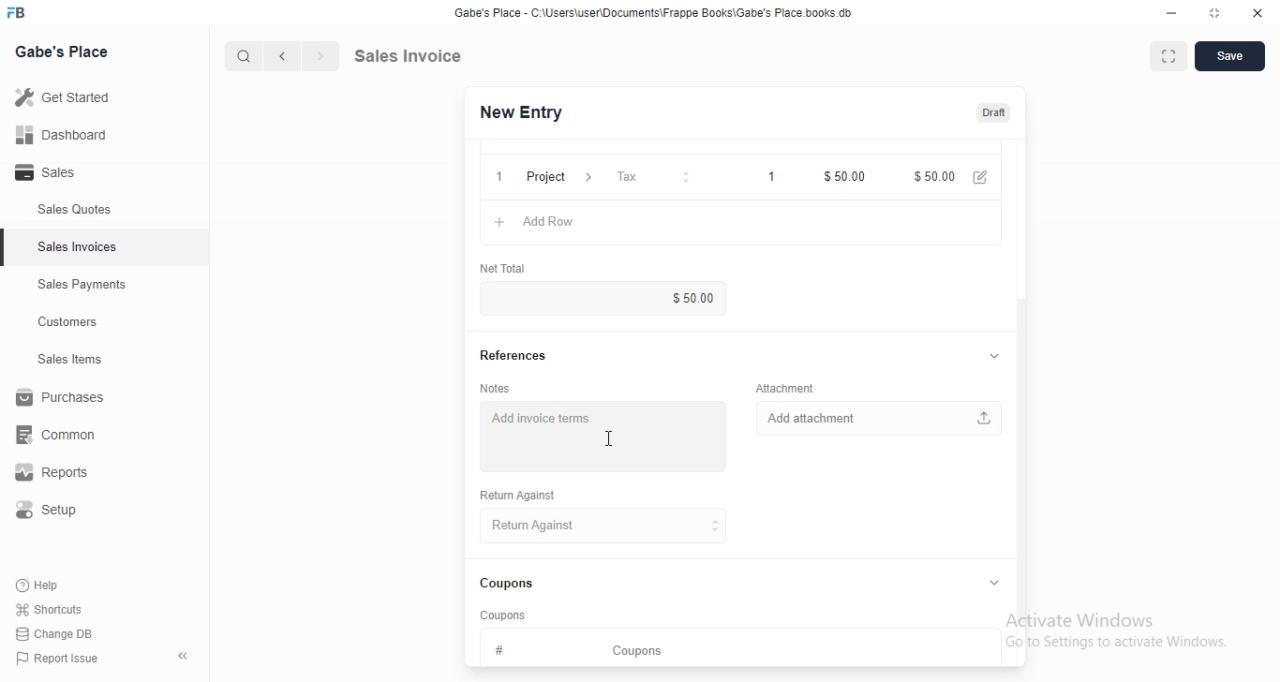  I want to click on 50, so click(839, 175).